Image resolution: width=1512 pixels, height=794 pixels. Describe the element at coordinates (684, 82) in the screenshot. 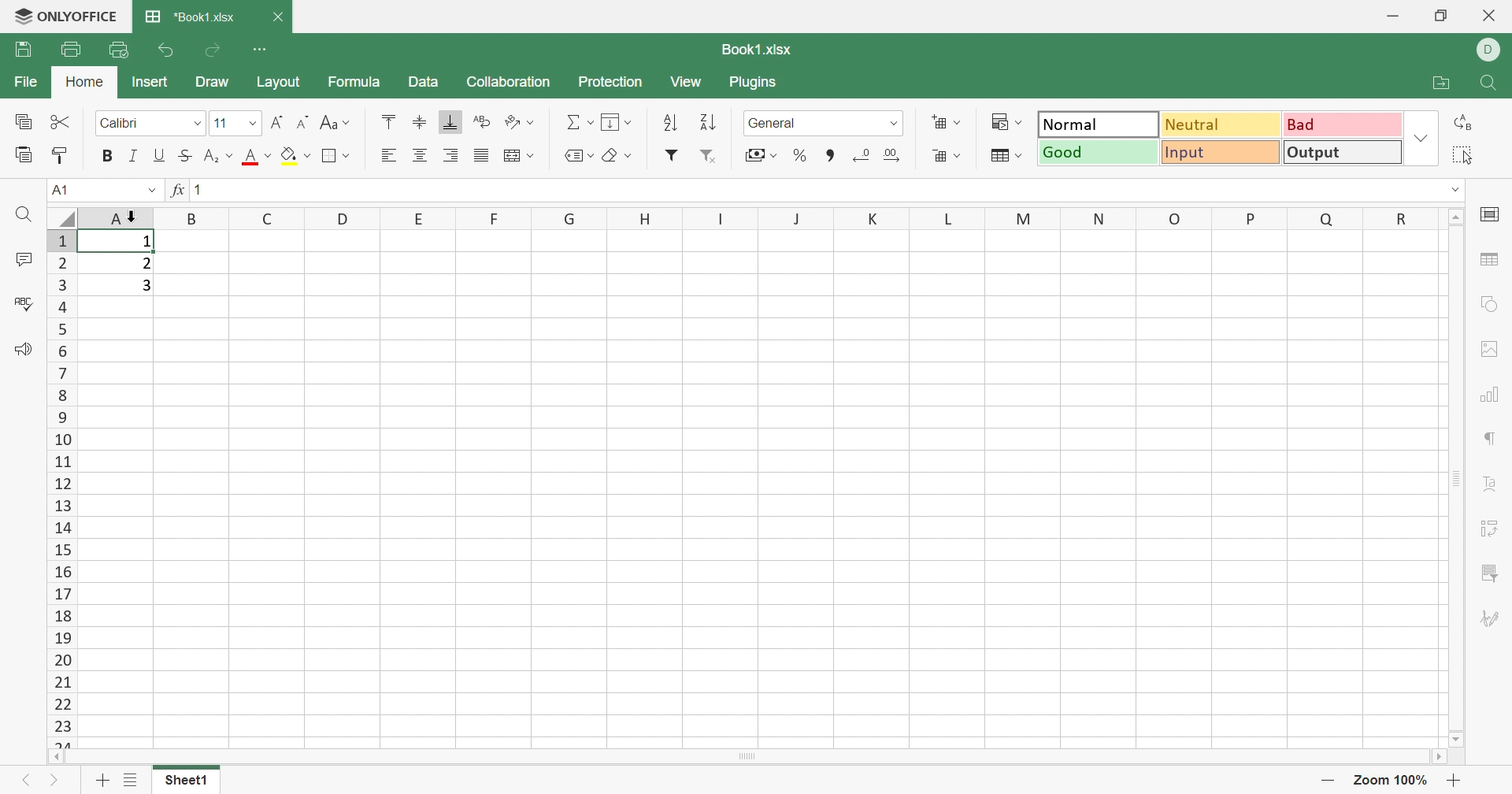

I see `View` at that location.